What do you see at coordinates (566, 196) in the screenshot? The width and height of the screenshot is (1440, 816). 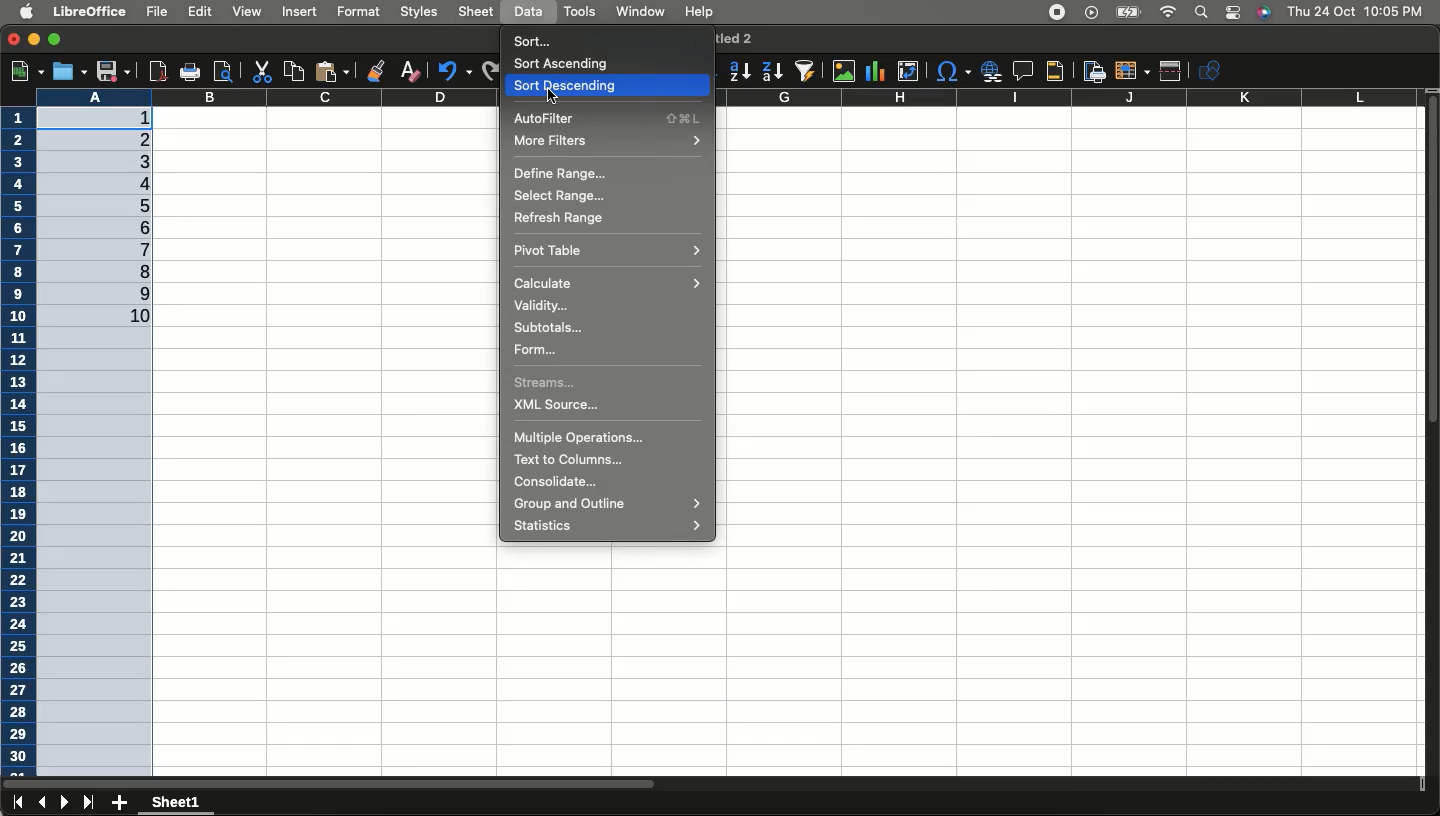 I see `Select range...` at bounding box center [566, 196].